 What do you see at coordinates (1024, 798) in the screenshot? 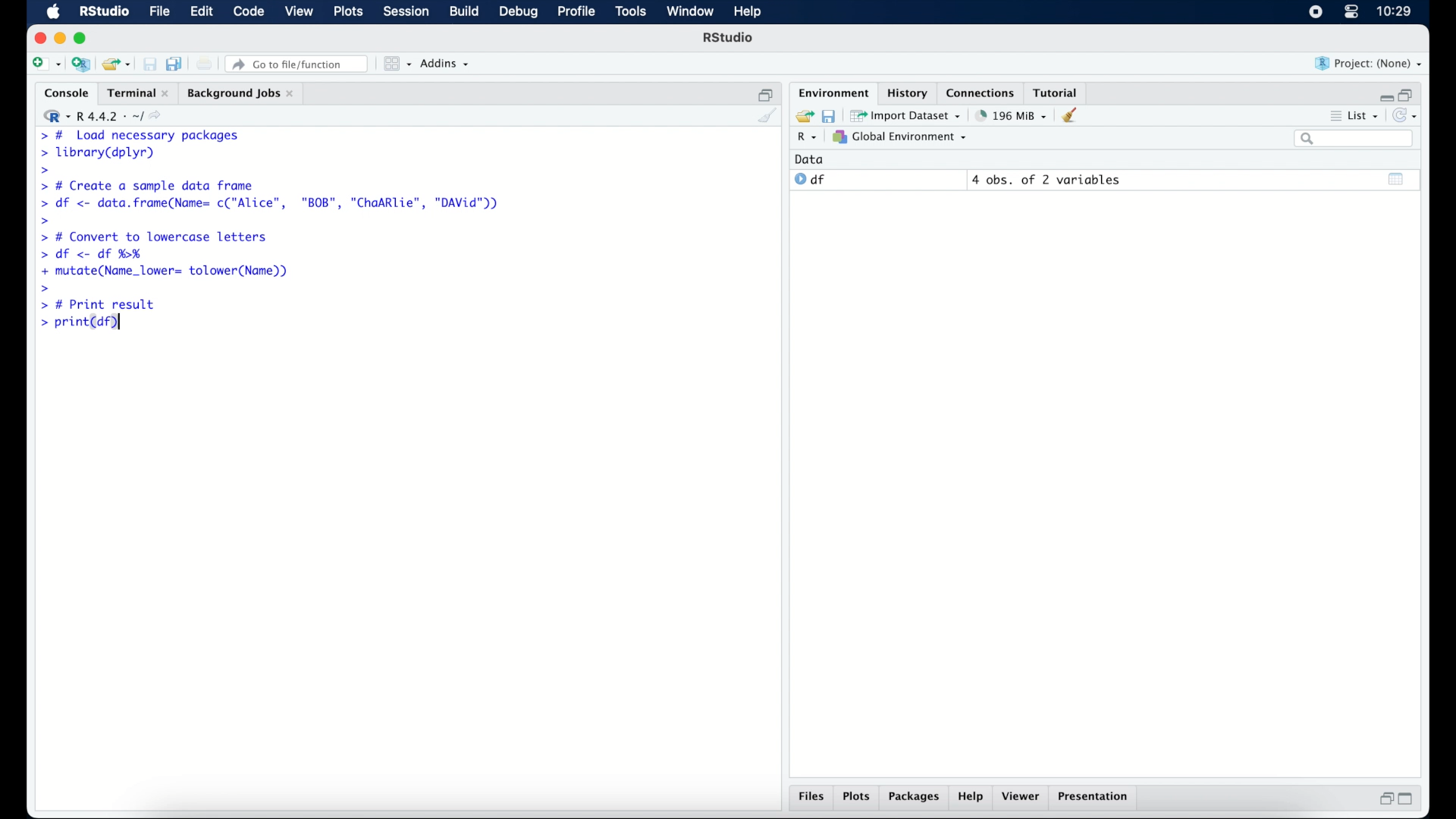
I see `viewer` at bounding box center [1024, 798].